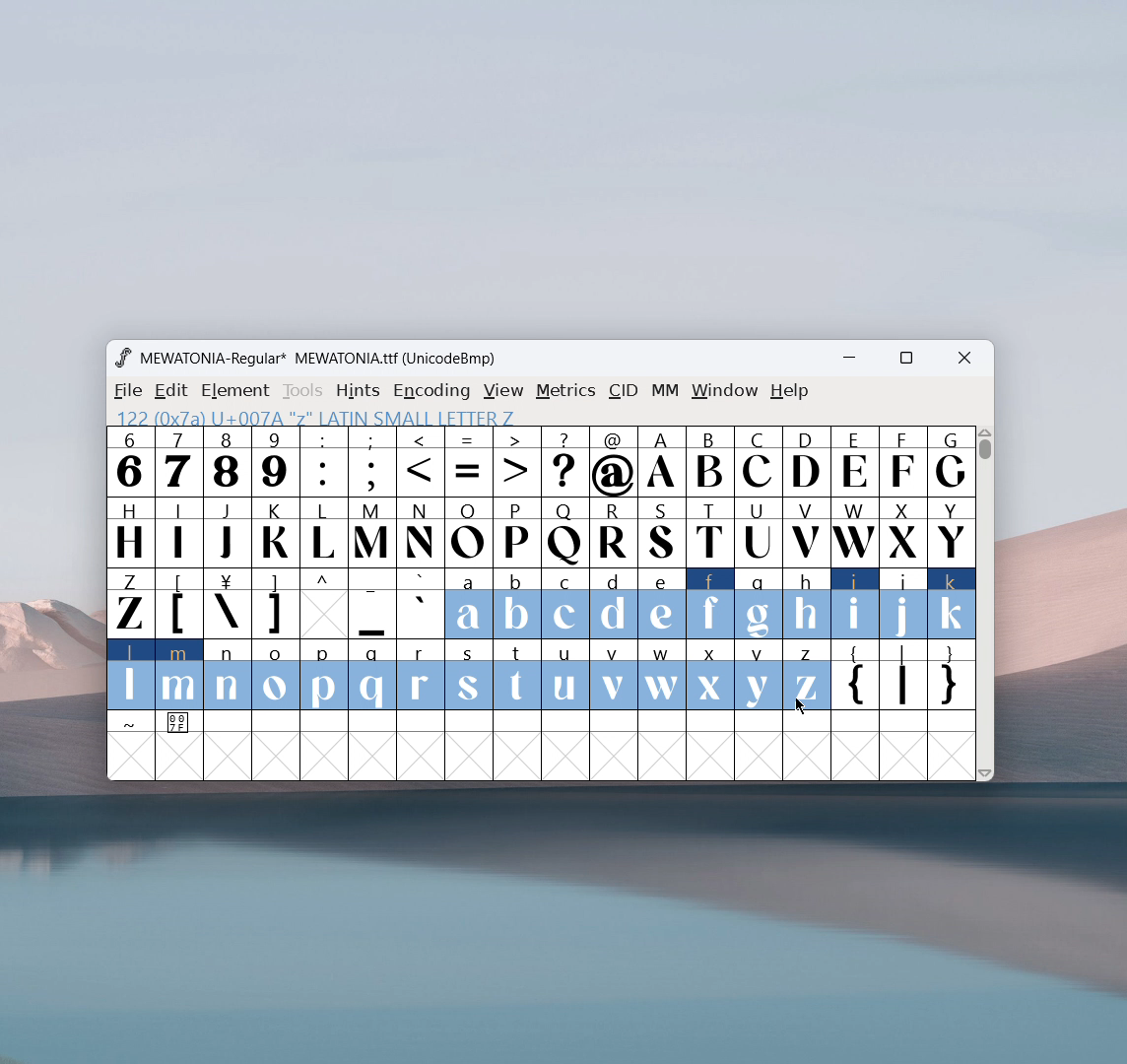  What do you see at coordinates (129, 530) in the screenshot?
I see `H` at bounding box center [129, 530].